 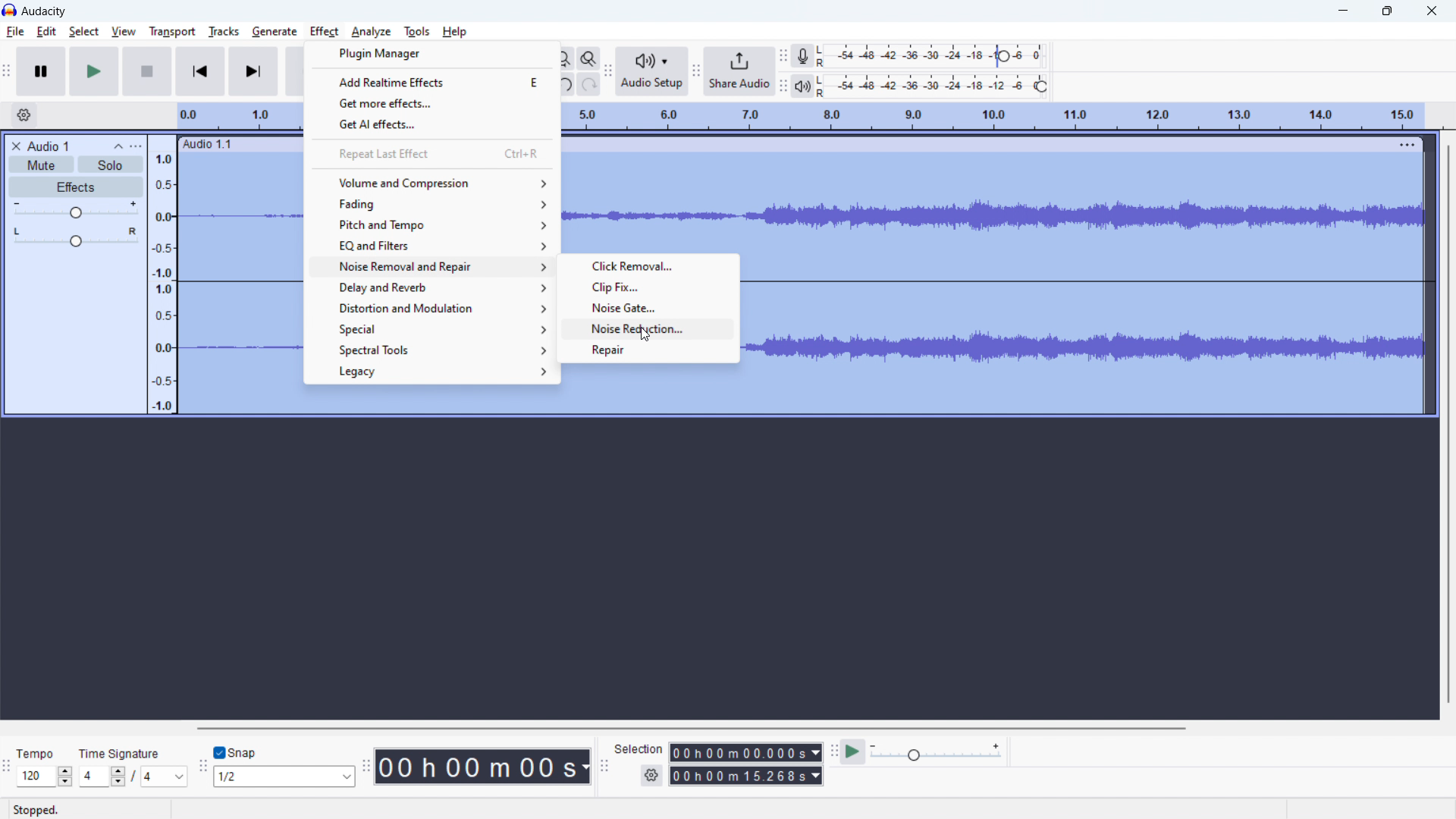 I want to click on amplitude, so click(x=162, y=275).